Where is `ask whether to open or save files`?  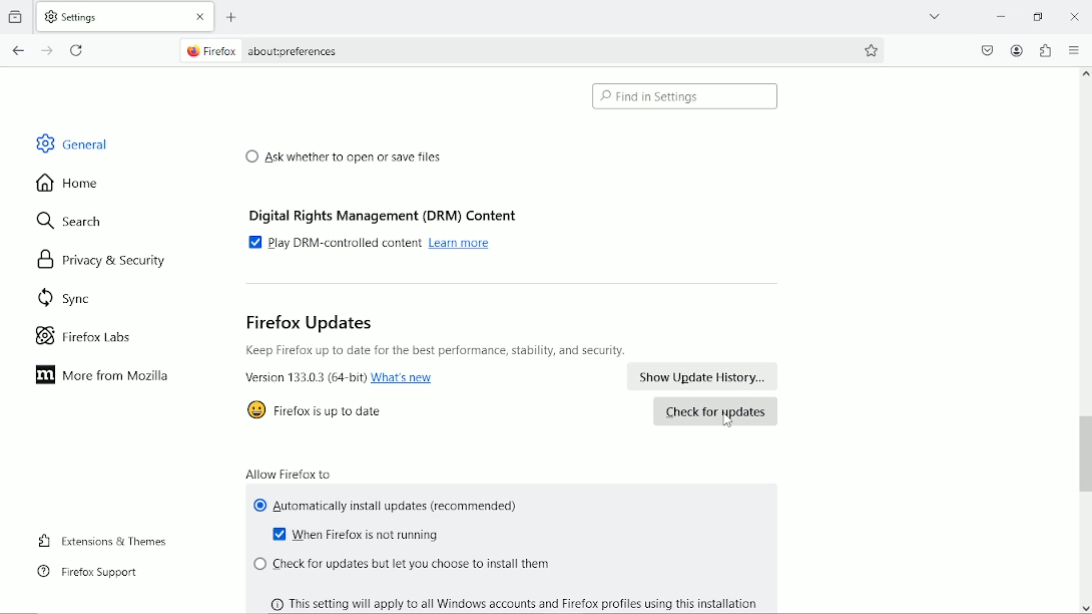 ask whether to open or save files is located at coordinates (343, 155).